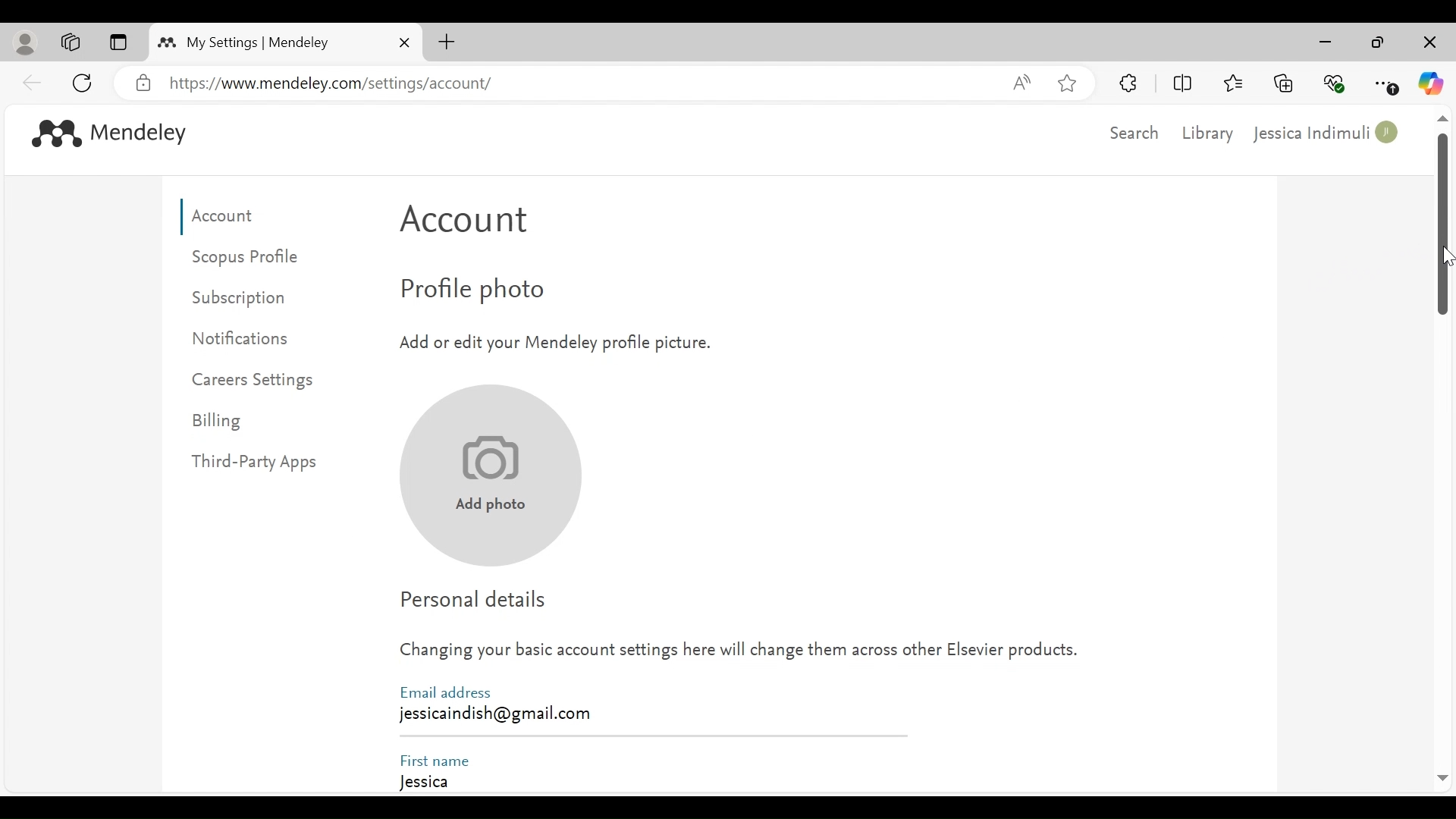  Describe the element at coordinates (1328, 133) in the screenshot. I see `jessica indimuli` at that location.